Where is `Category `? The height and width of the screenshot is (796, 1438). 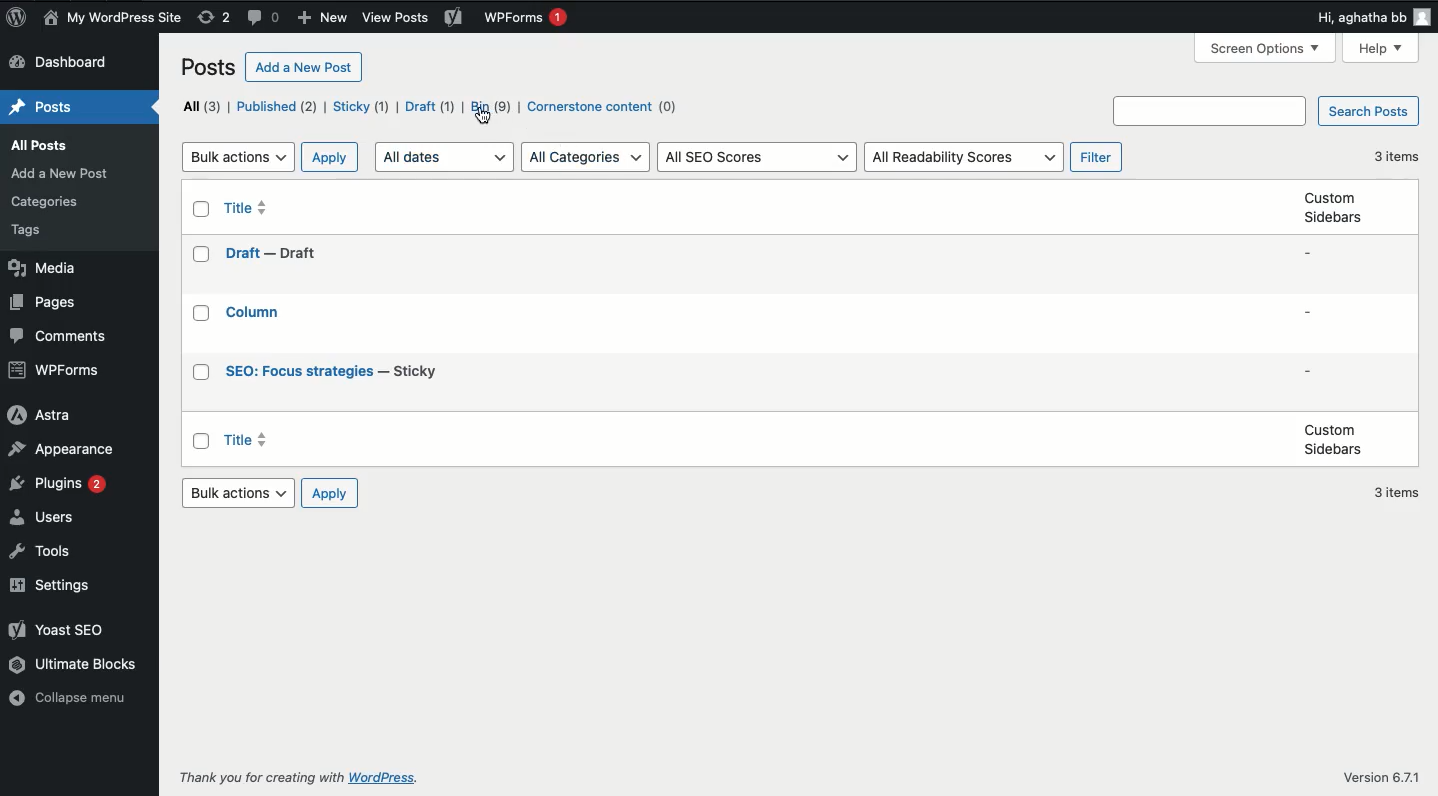
Category  is located at coordinates (46, 202).